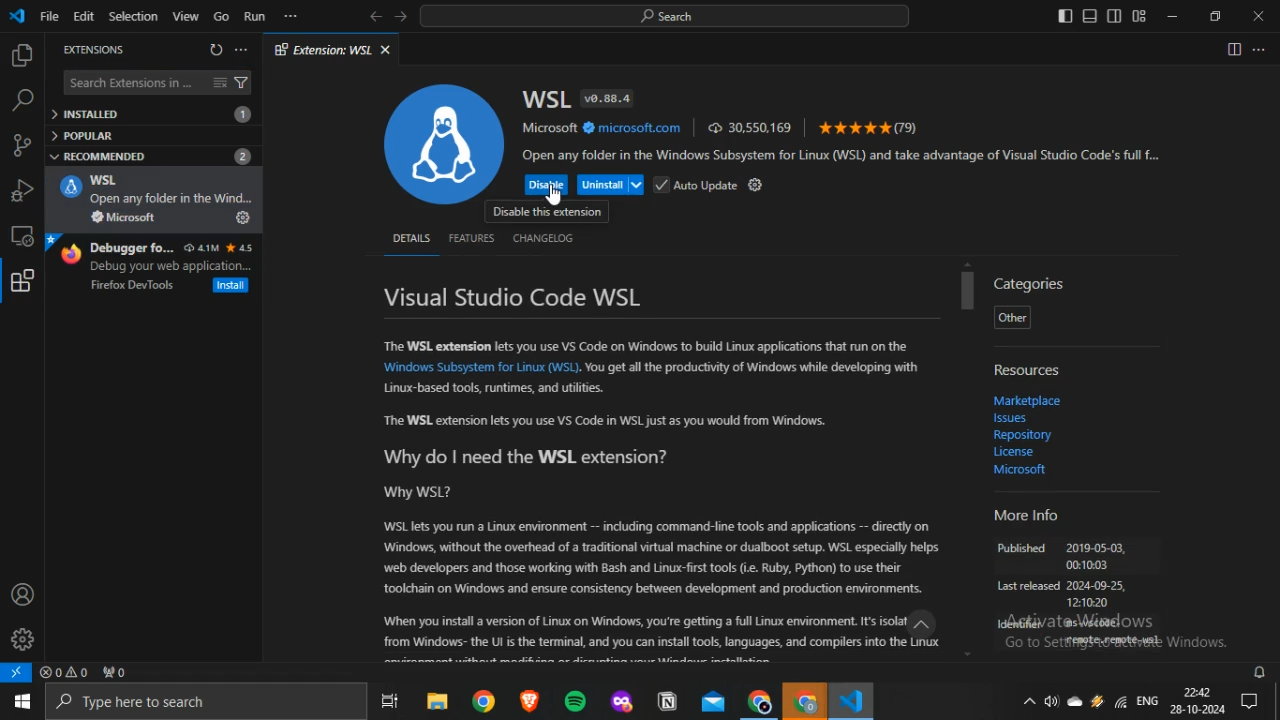 This screenshot has height=720, width=1280. I want to click on WSL logo, so click(444, 141).